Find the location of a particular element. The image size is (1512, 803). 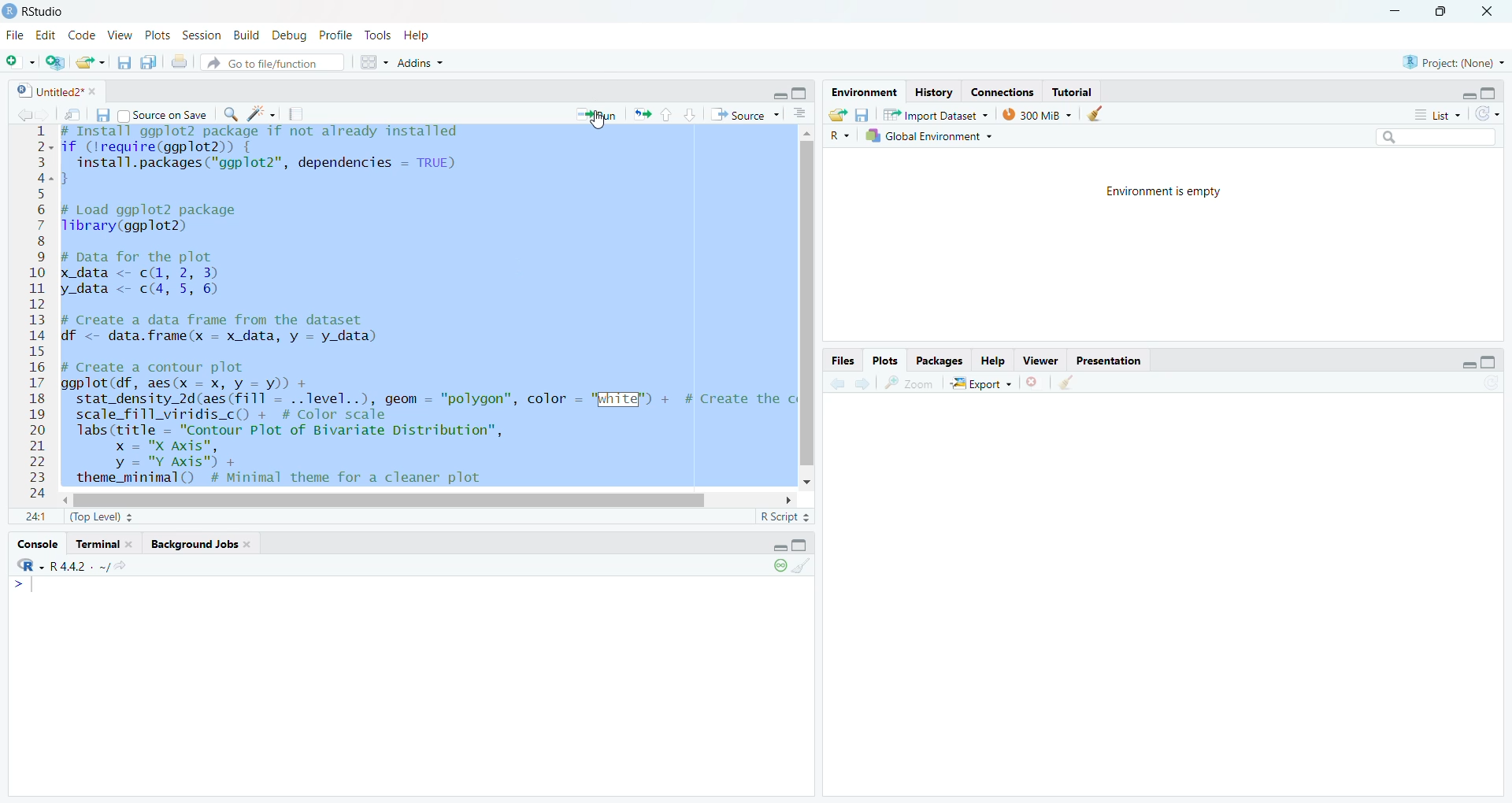

clear current plots is located at coordinates (1032, 383).